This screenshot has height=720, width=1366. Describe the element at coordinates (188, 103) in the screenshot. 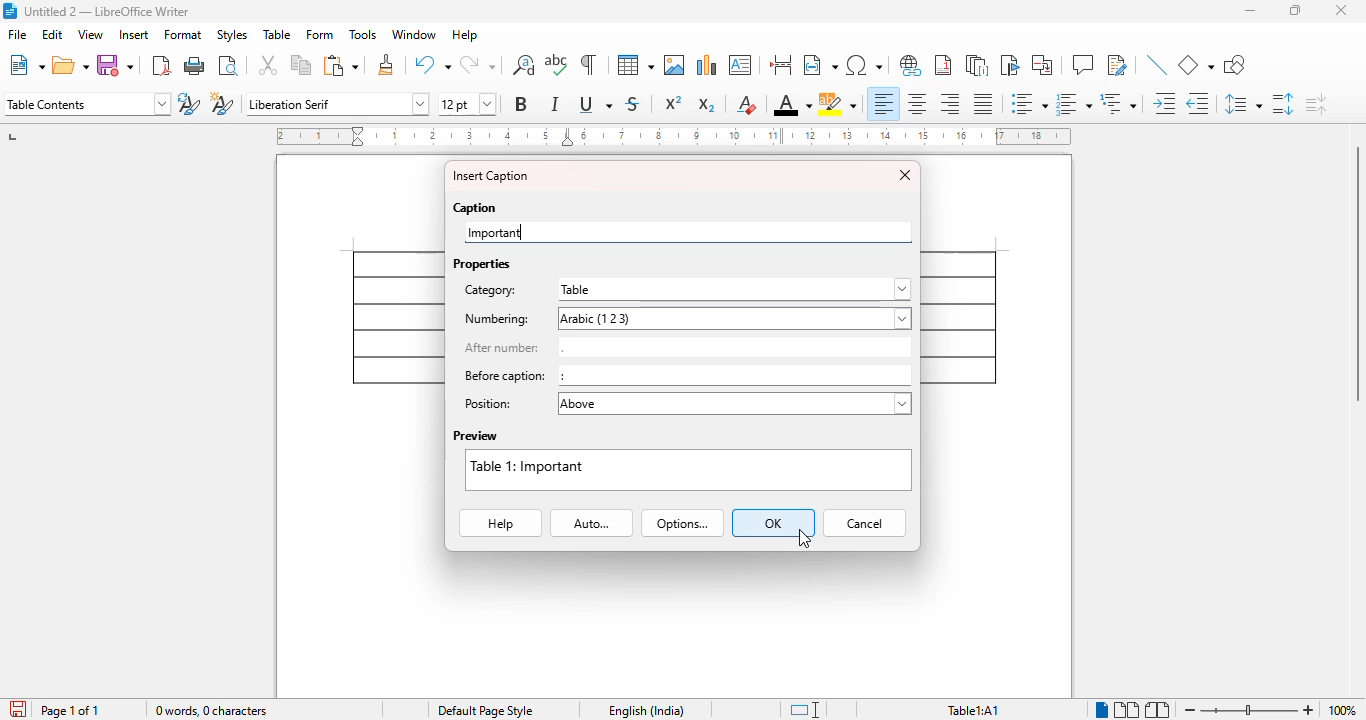

I see `update selected style` at that location.